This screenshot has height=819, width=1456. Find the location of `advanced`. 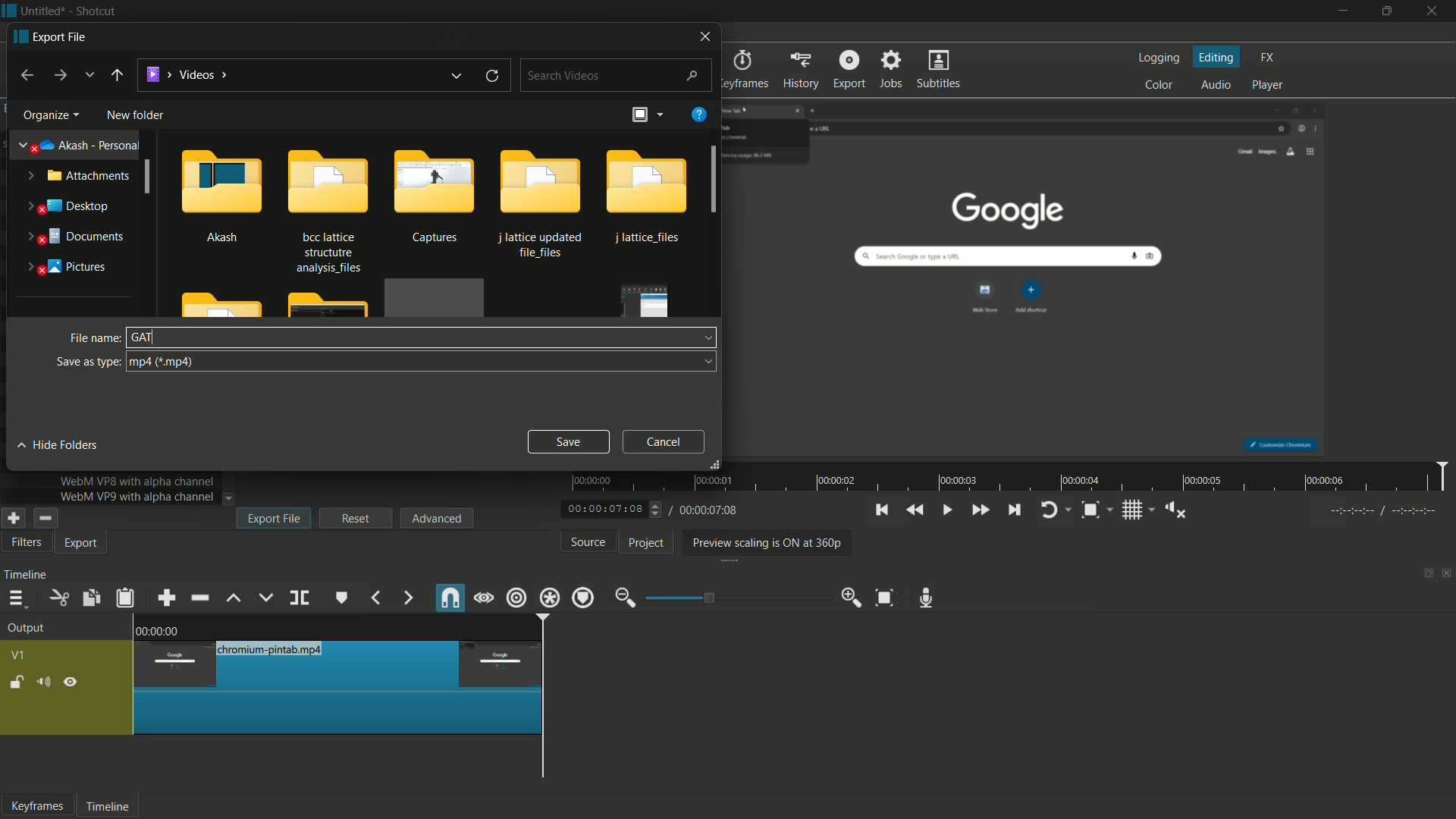

advanced is located at coordinates (436, 517).